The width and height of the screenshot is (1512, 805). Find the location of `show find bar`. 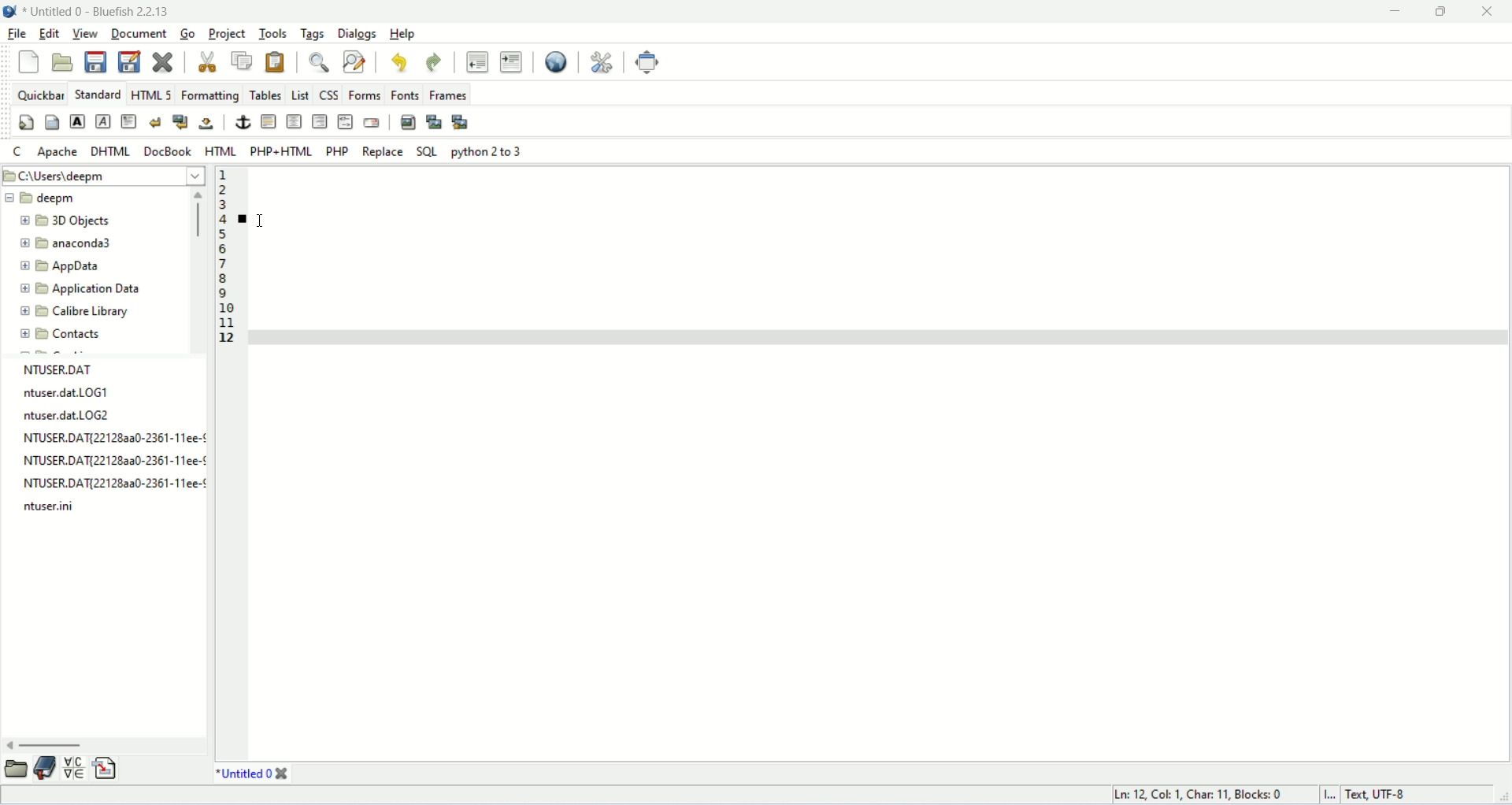

show find bar is located at coordinates (320, 61).